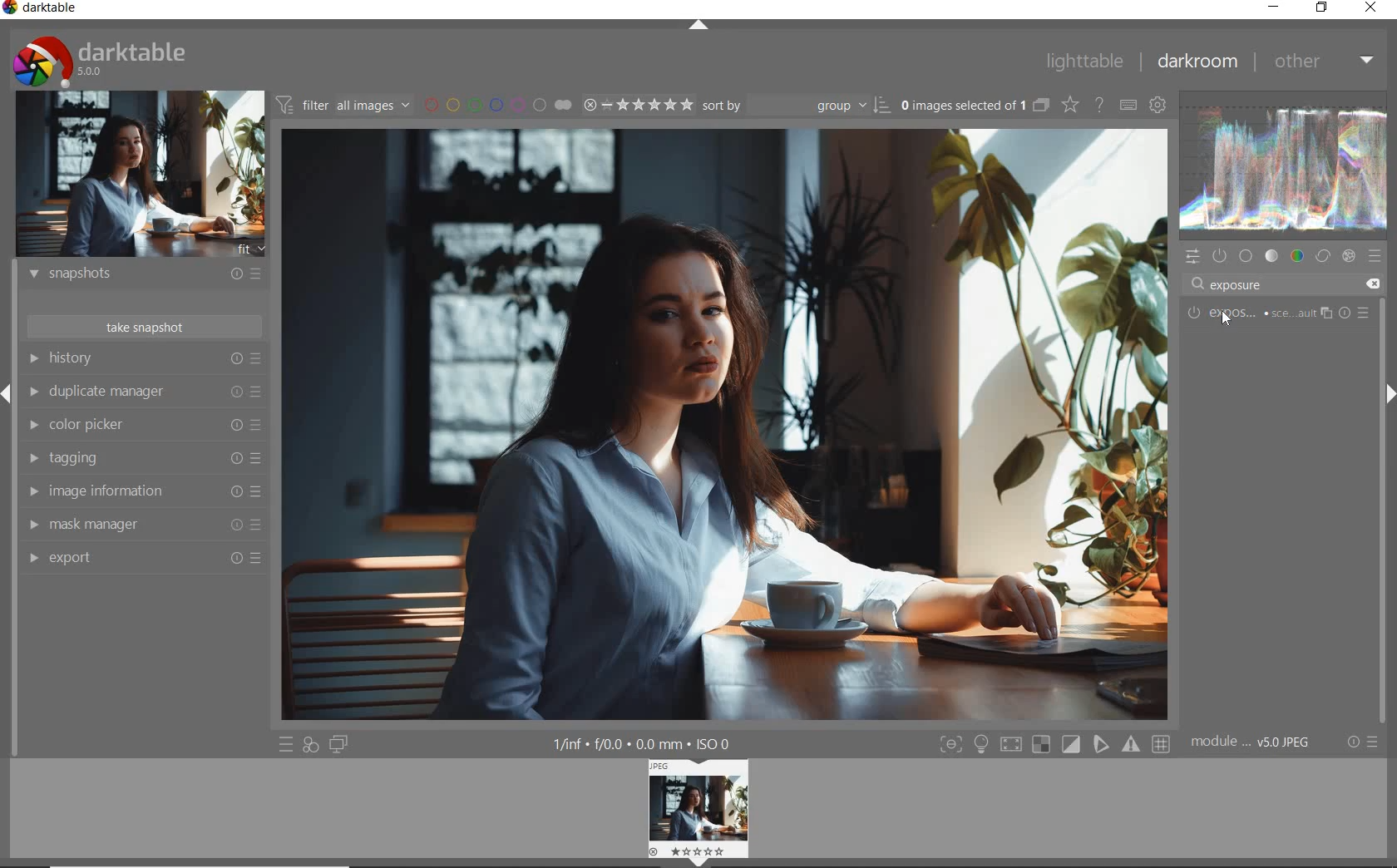 Image resolution: width=1397 pixels, height=868 pixels. I want to click on exposure, so click(1238, 284).